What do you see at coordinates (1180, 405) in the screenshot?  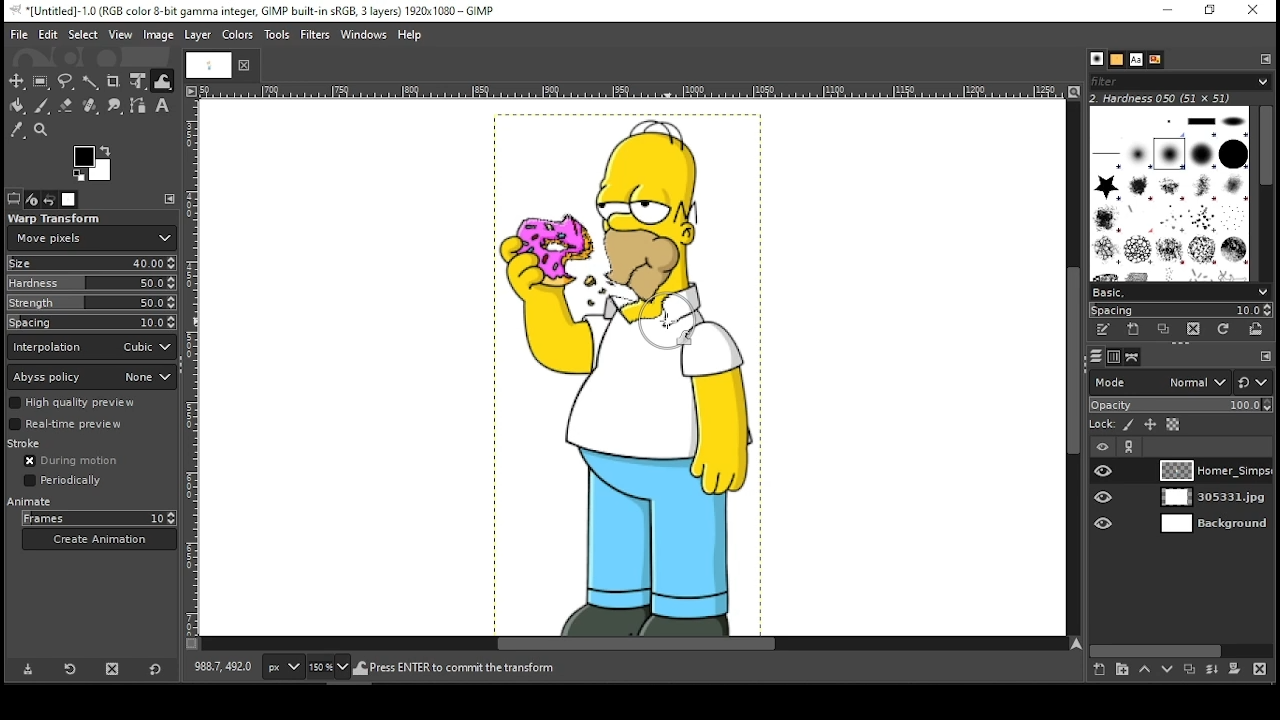 I see `opacity` at bounding box center [1180, 405].